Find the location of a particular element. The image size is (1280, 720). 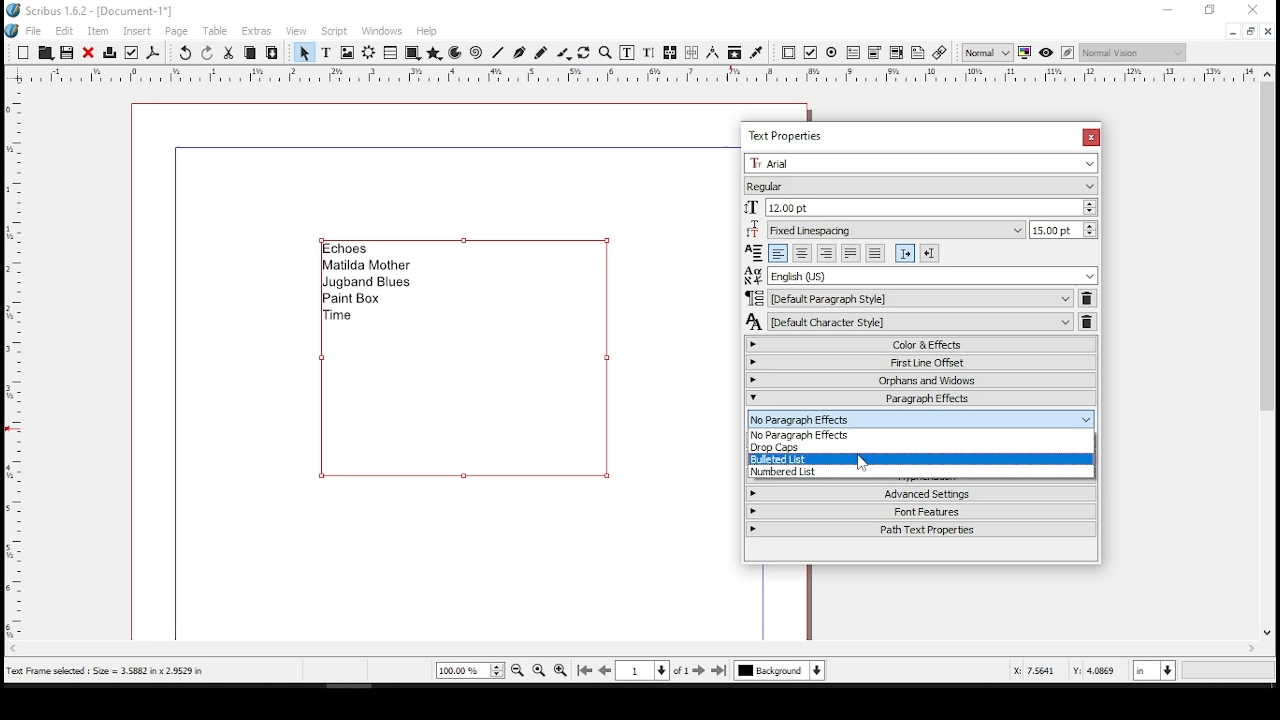

line spacing is located at coordinates (1062, 229).